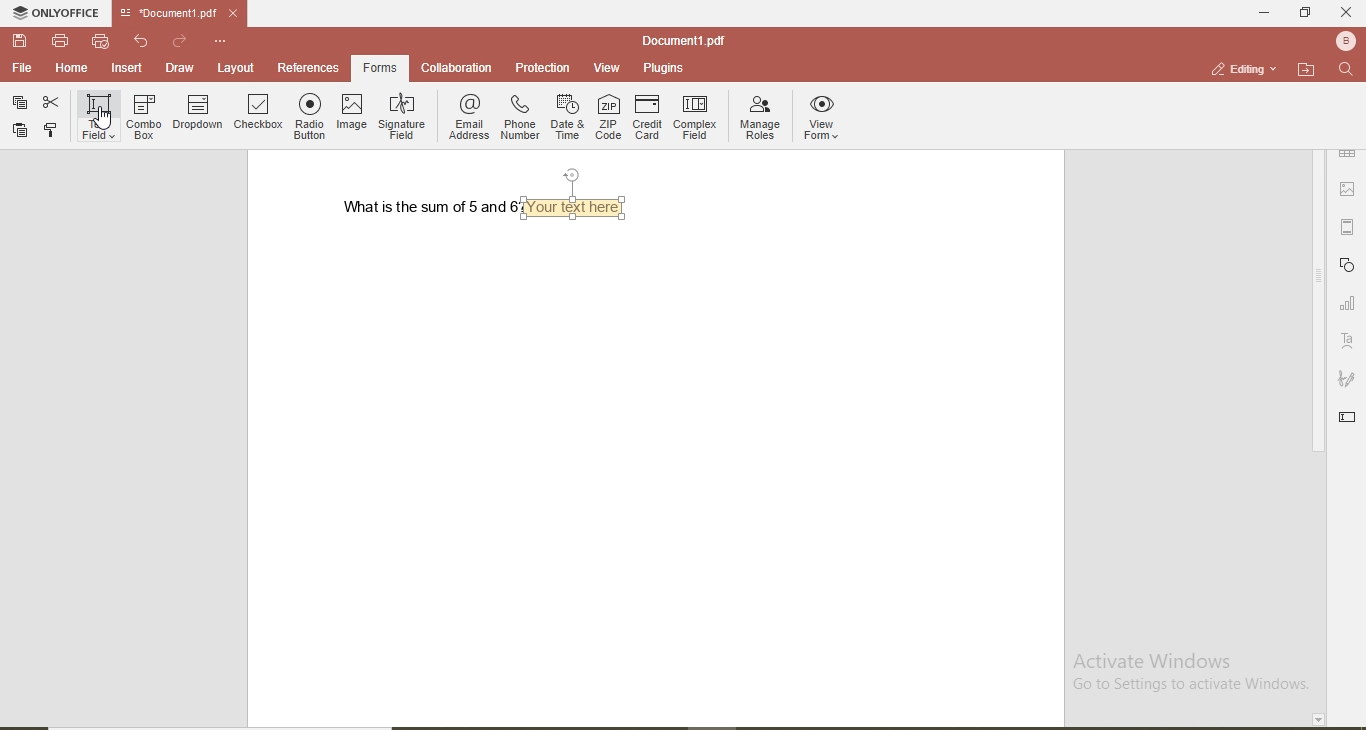  What do you see at coordinates (824, 117) in the screenshot?
I see `view forms` at bounding box center [824, 117].